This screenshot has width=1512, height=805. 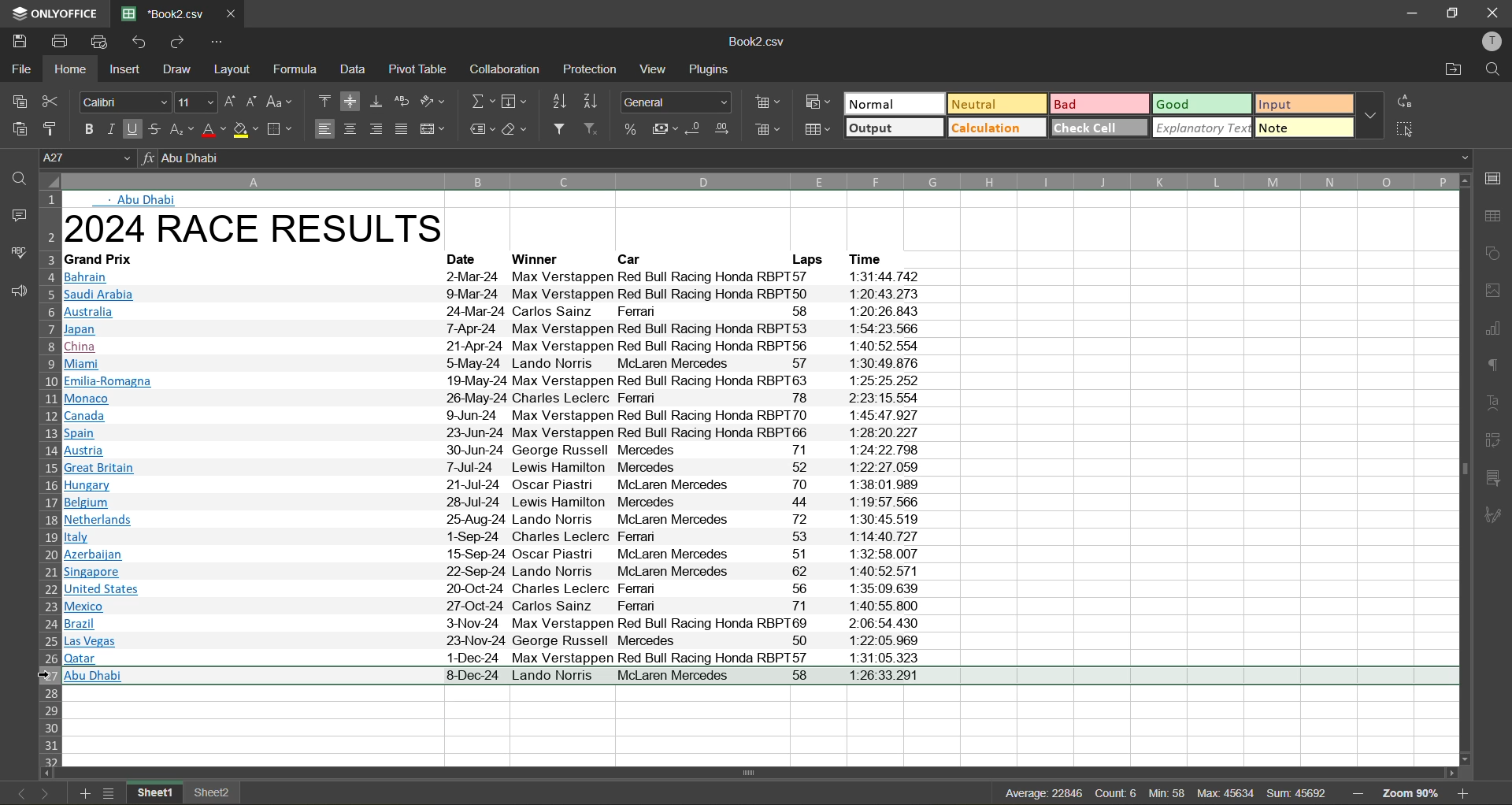 I want to click on previous, so click(x=17, y=792).